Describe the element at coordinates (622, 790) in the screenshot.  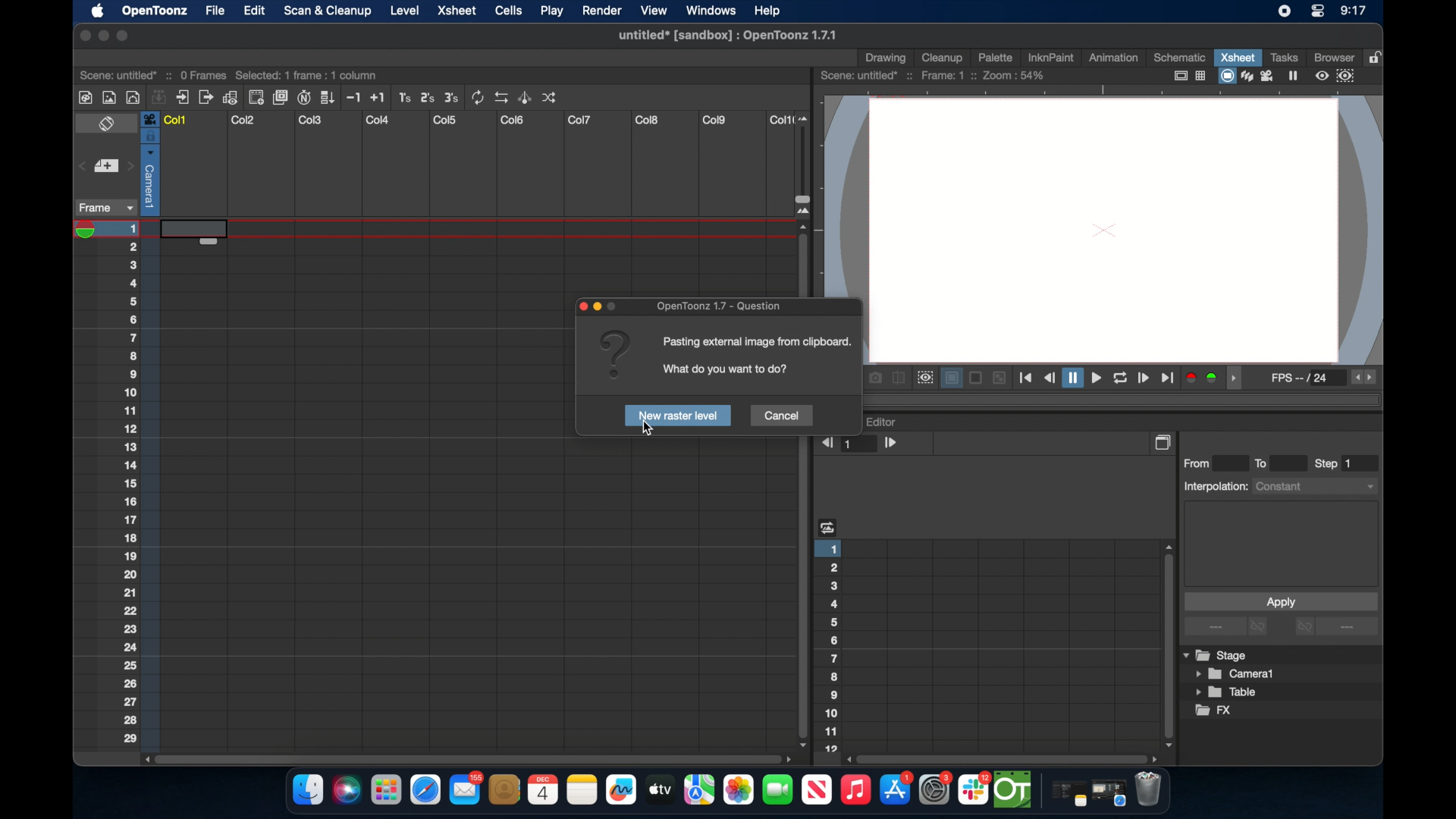
I see `freeform` at that location.